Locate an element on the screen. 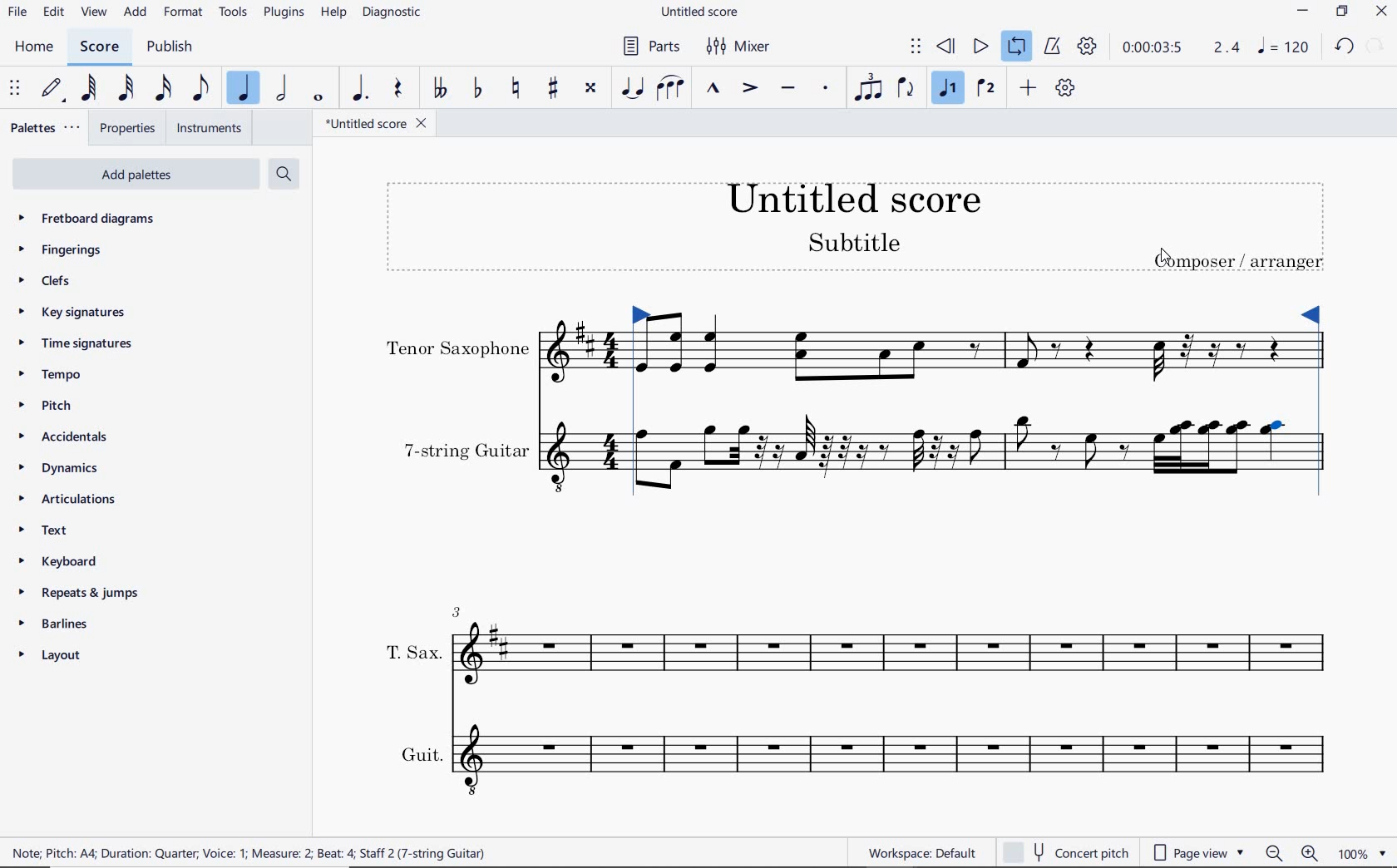  PLAYBACK SETTINGS is located at coordinates (1088, 47).